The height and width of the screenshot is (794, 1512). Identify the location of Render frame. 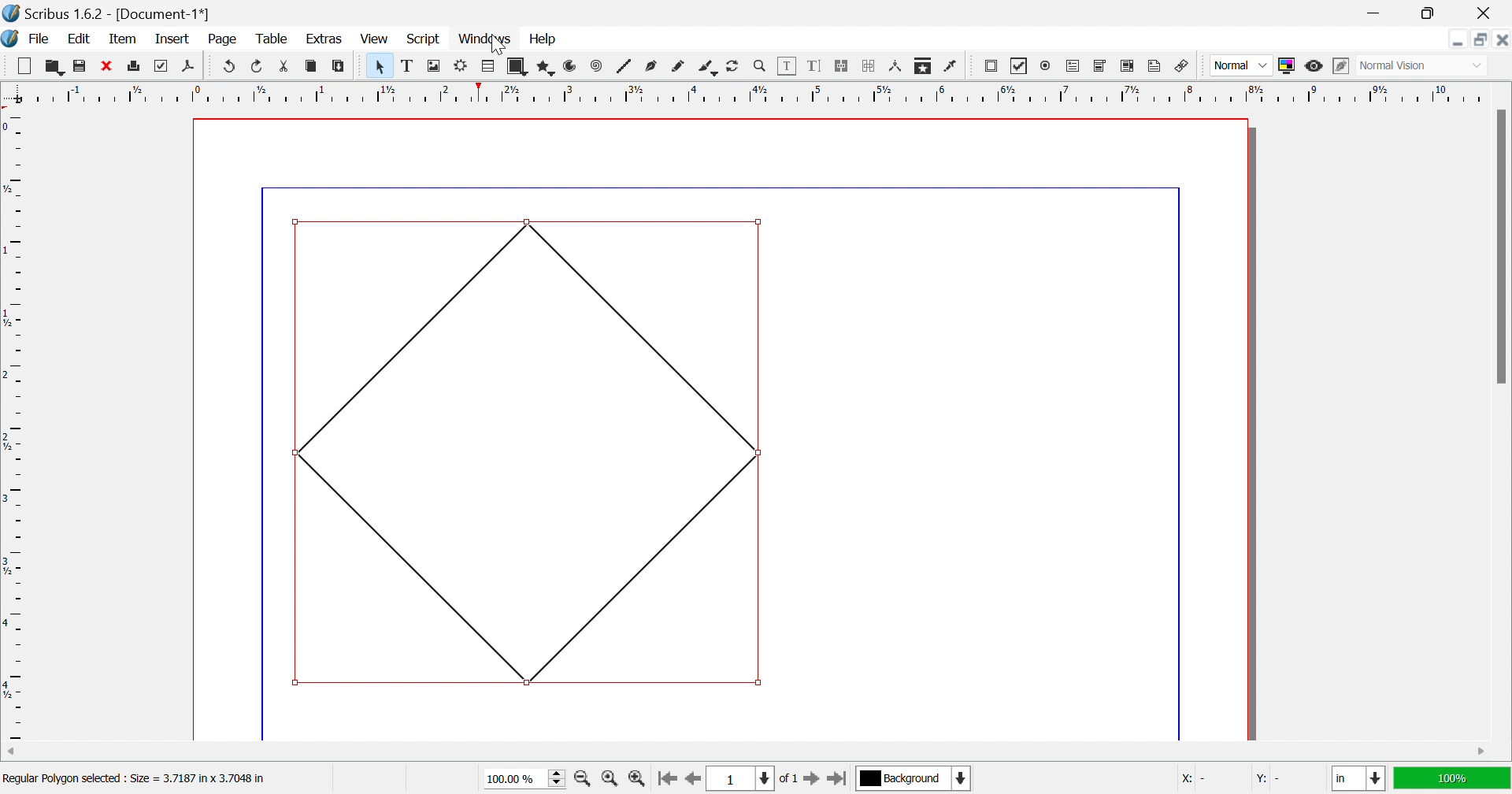
(461, 65).